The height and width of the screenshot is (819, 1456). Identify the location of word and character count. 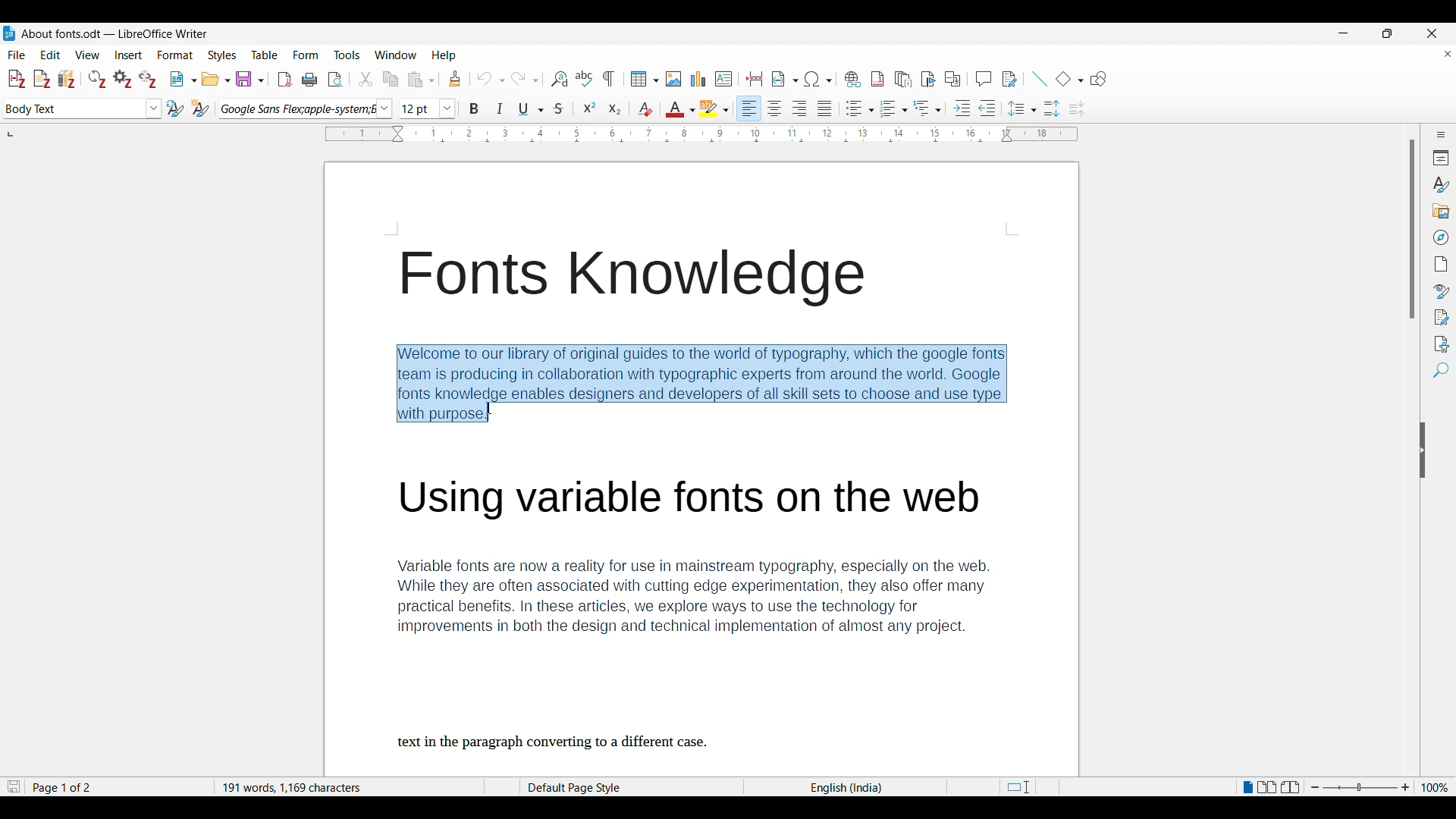
(296, 786).